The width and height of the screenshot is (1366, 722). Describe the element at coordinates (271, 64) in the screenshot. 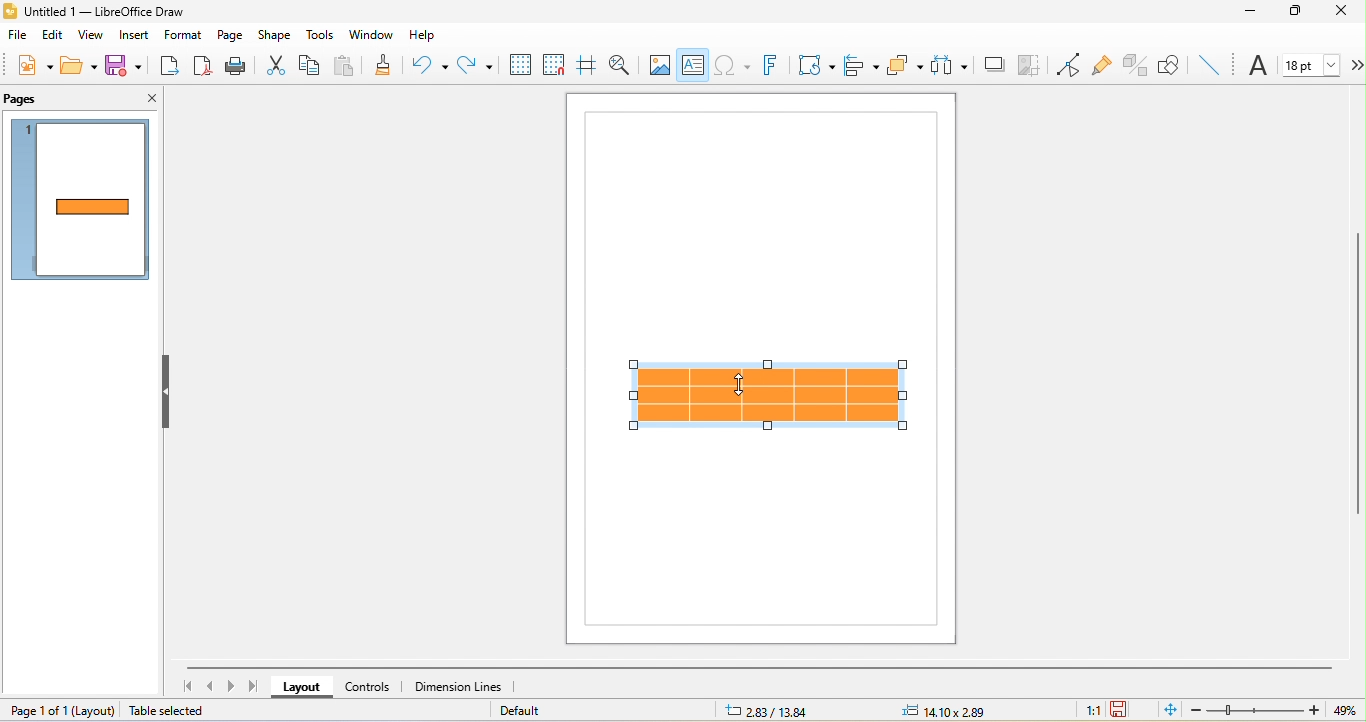

I see `cut` at that location.